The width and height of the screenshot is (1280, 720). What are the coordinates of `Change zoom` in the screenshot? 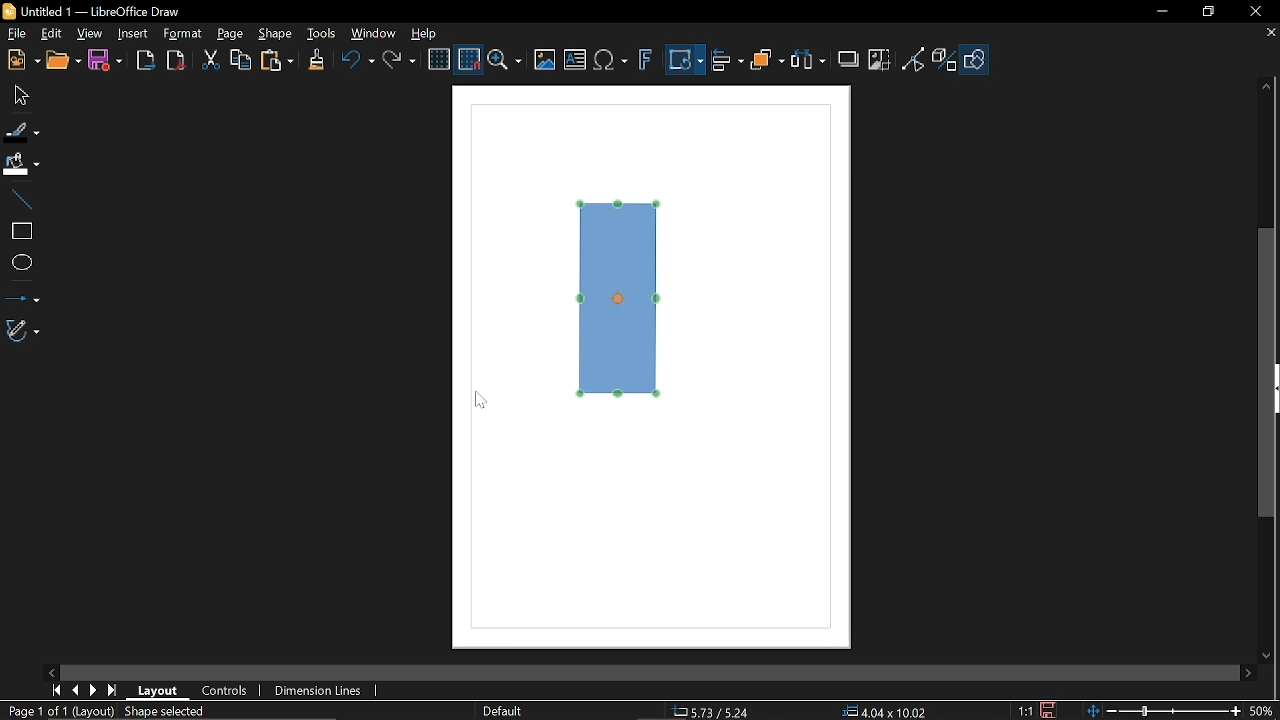 It's located at (1166, 712).